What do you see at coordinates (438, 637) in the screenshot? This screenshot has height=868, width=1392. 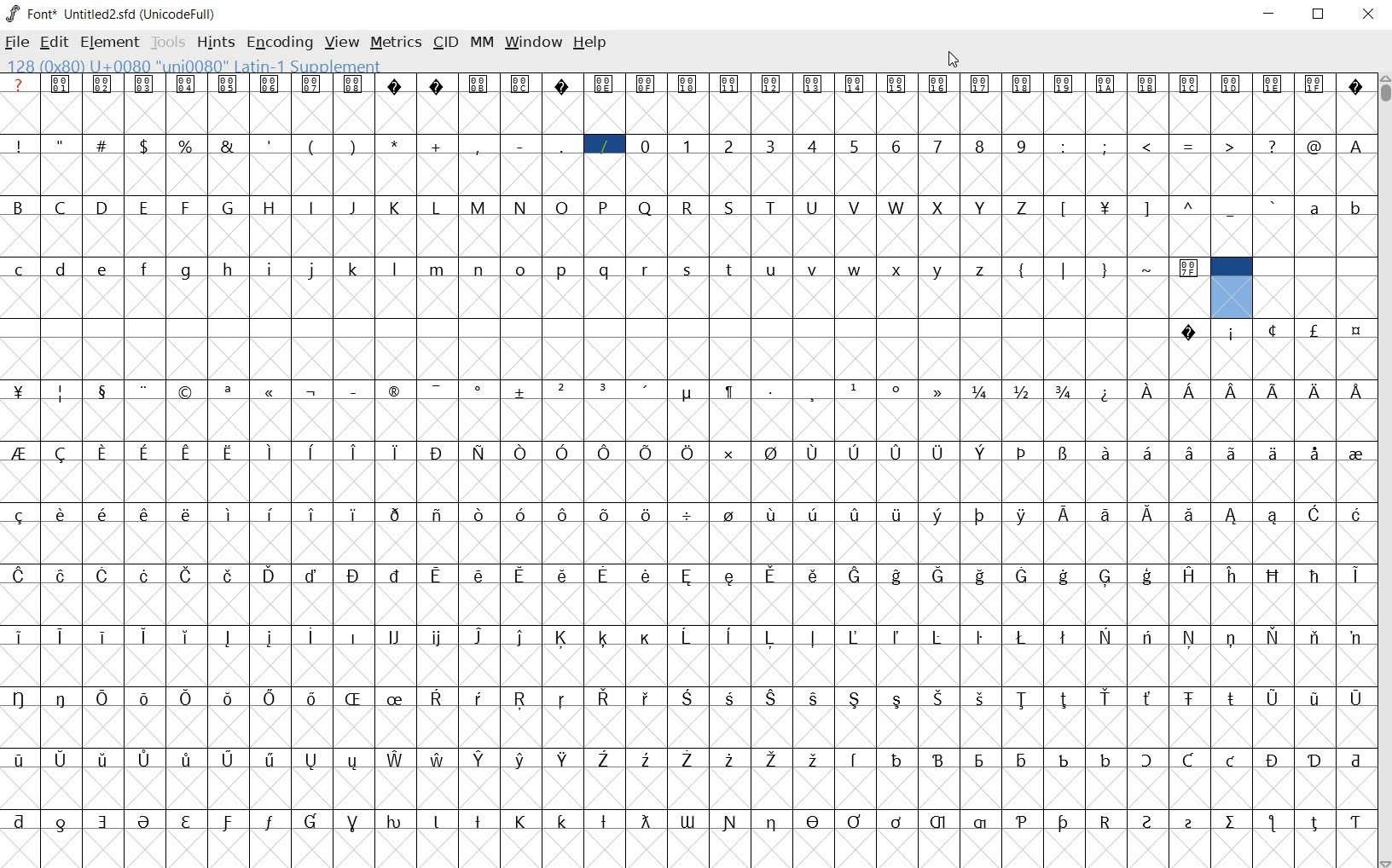 I see `Symbol` at bounding box center [438, 637].